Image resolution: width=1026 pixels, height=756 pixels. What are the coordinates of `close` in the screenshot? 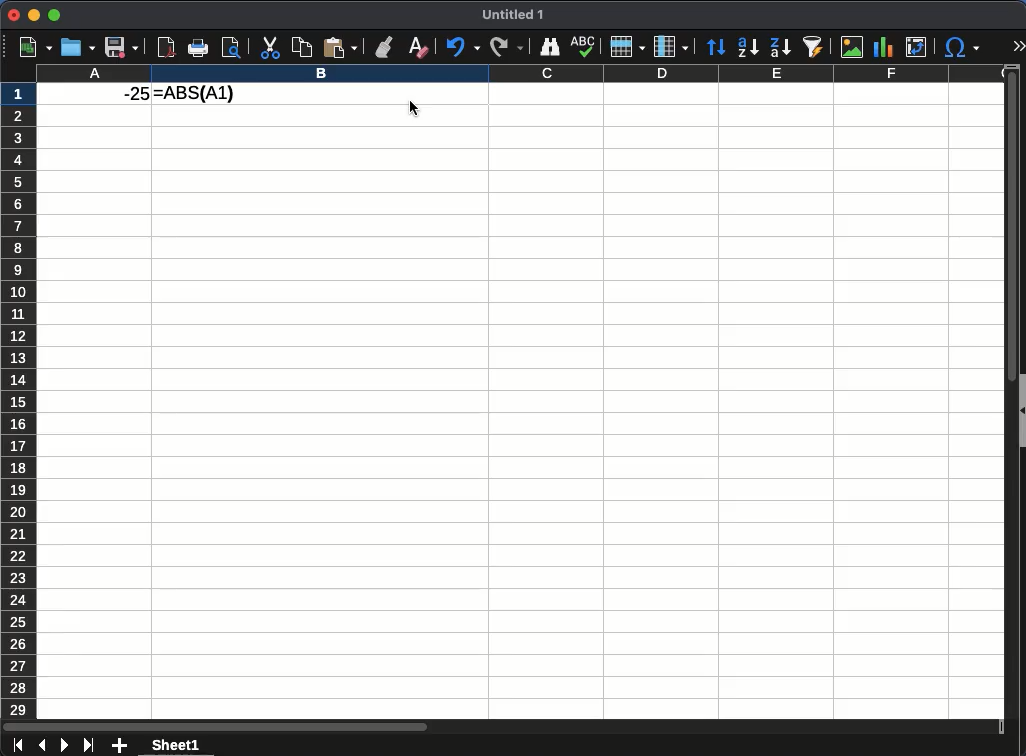 It's located at (11, 15).